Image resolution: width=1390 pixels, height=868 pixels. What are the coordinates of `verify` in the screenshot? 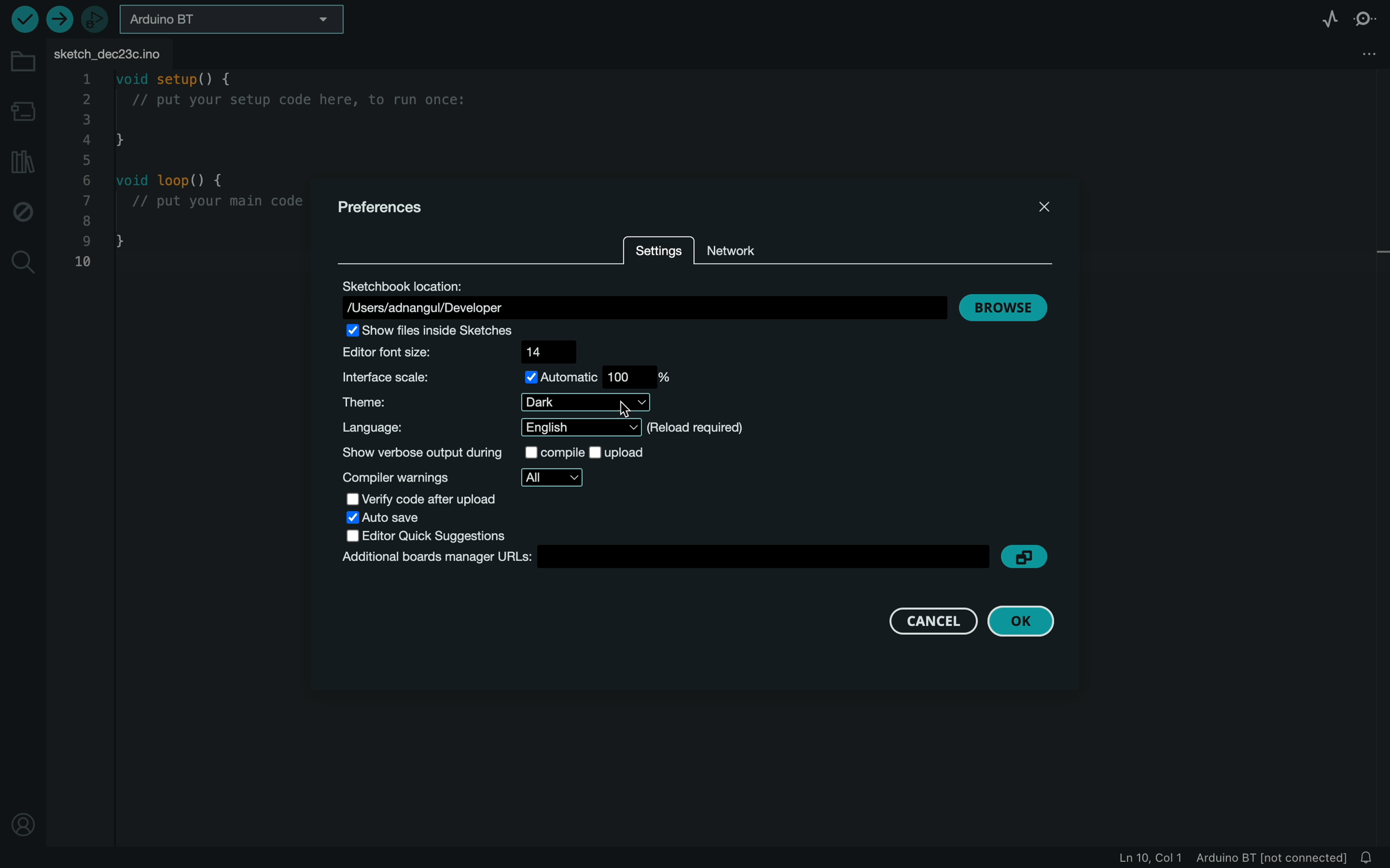 It's located at (22, 20).